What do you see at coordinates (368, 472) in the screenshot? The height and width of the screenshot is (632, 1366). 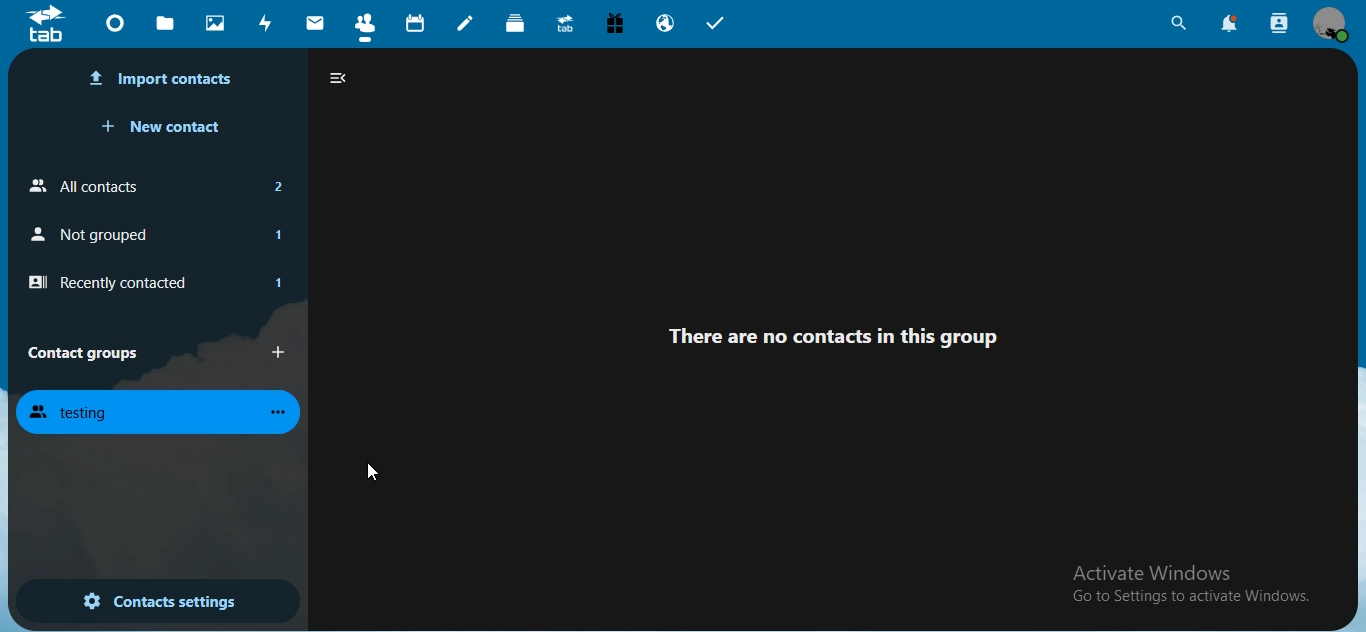 I see `cursor` at bounding box center [368, 472].